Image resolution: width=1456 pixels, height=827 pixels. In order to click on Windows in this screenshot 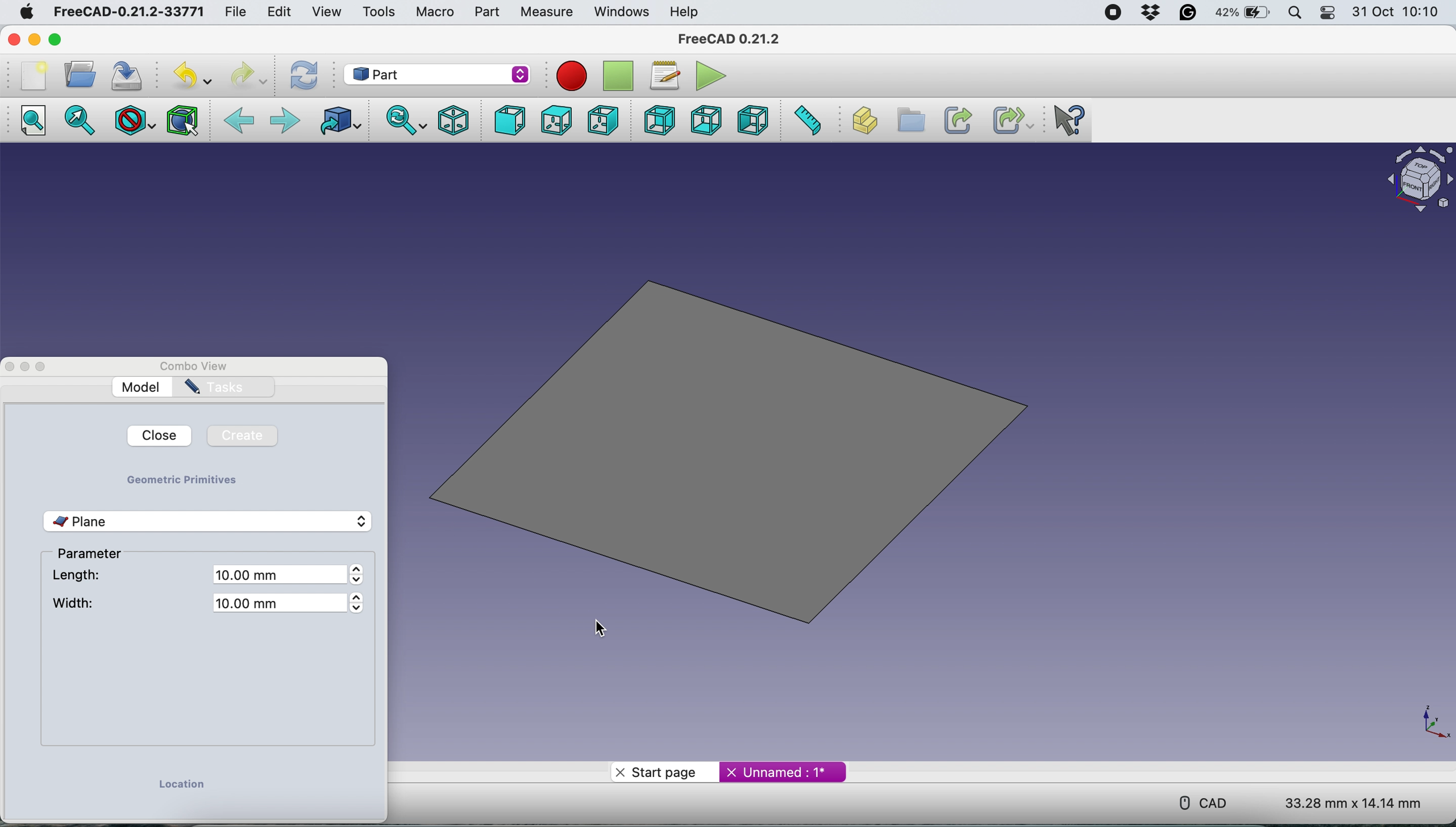, I will do `click(621, 13)`.